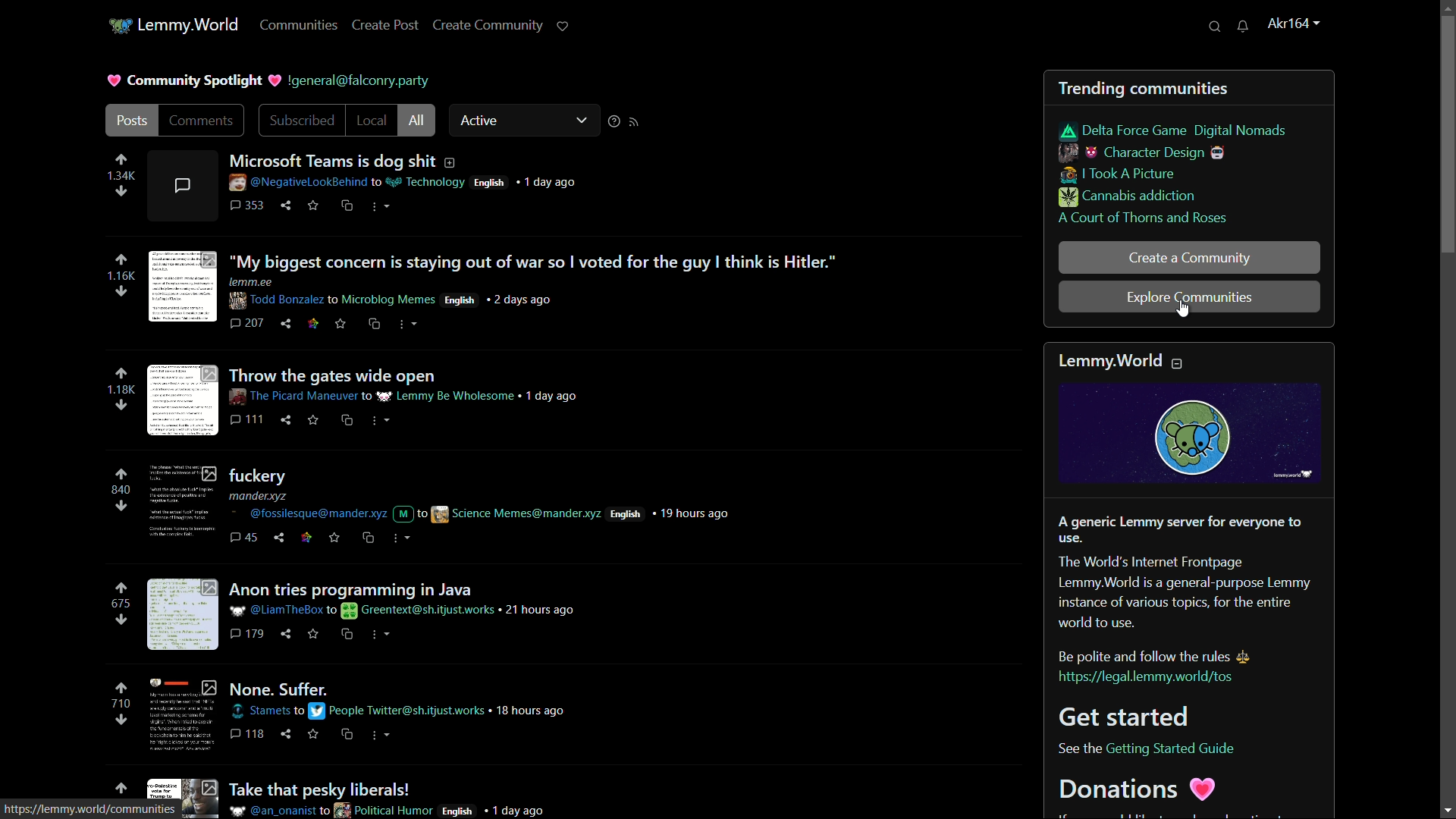 This screenshot has height=819, width=1456. Describe the element at coordinates (403, 160) in the screenshot. I see `post-1` at that location.